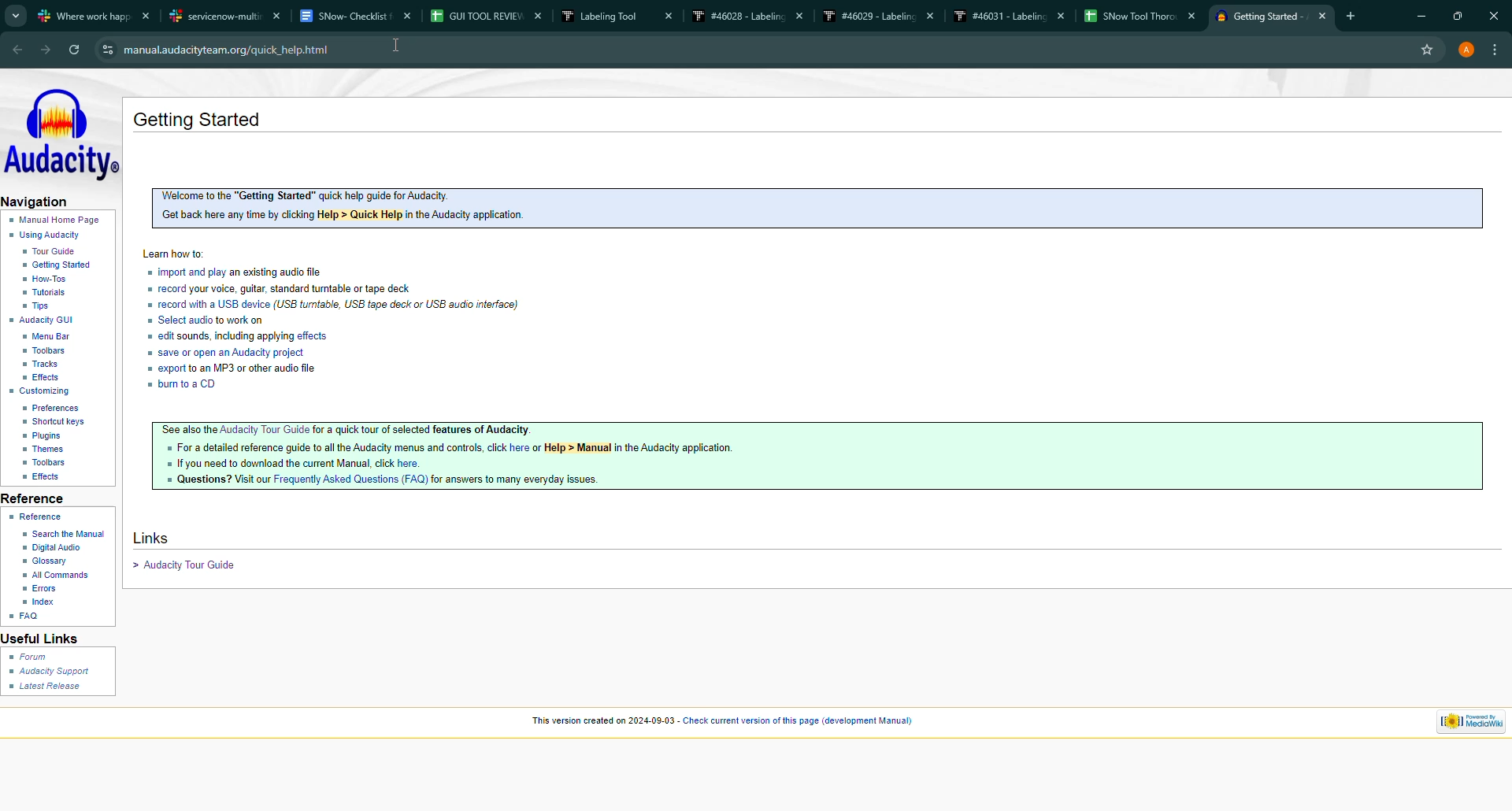 The height and width of the screenshot is (811, 1512). I want to click on Select audio, so click(179, 321).